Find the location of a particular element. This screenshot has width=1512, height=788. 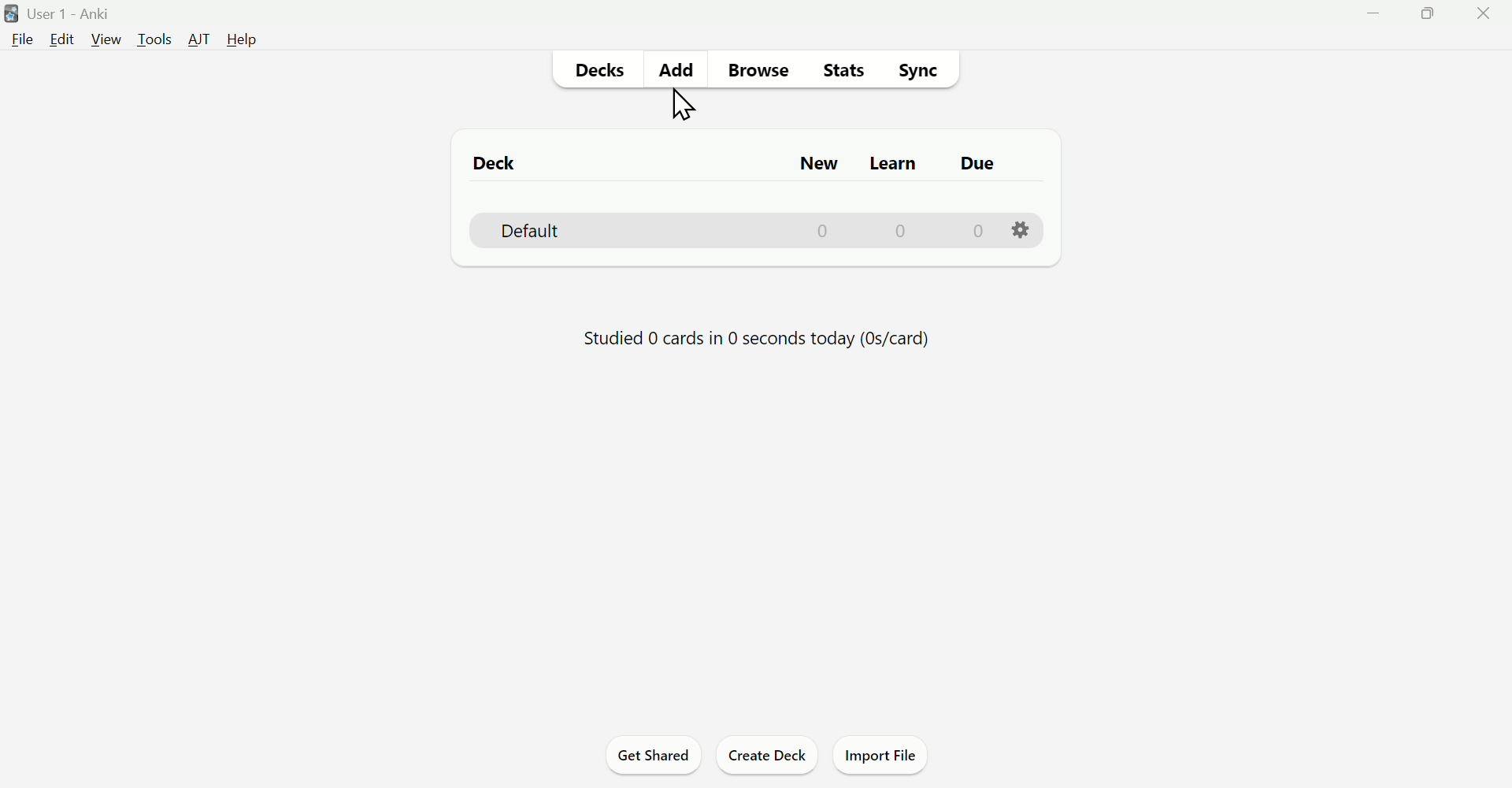

Create Deck is located at coordinates (768, 755).